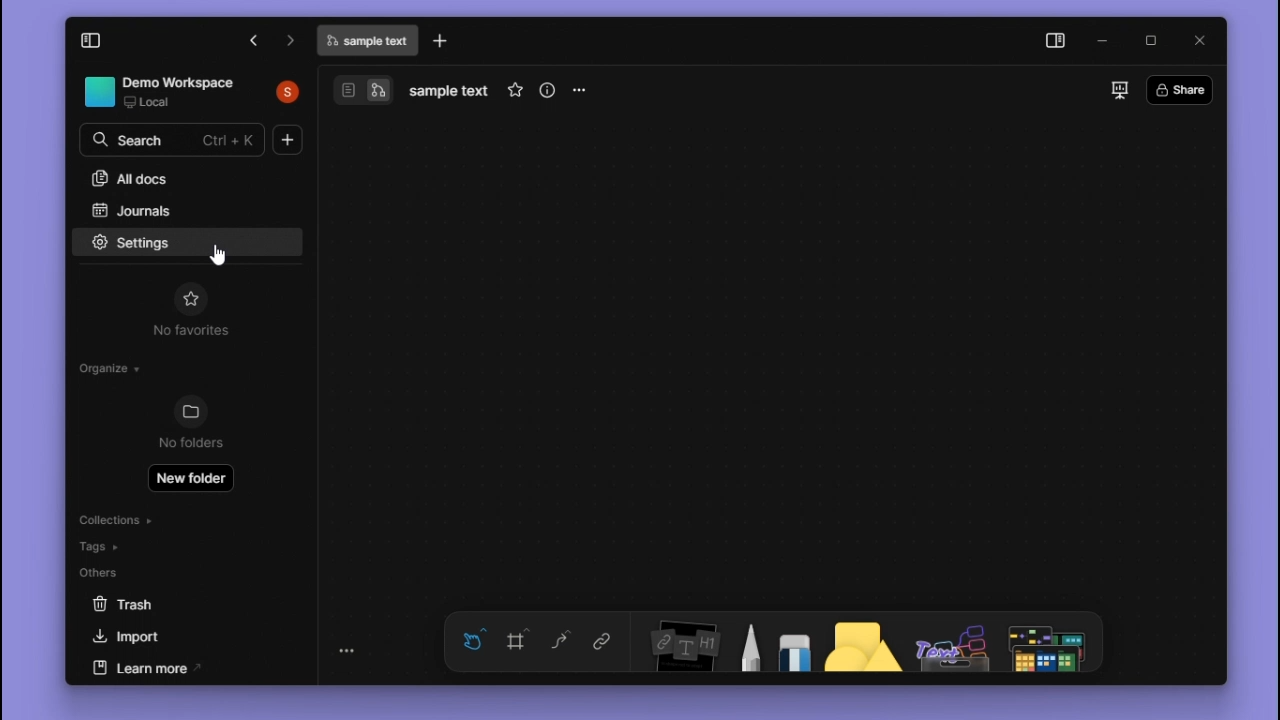  I want to click on all docs, so click(159, 176).